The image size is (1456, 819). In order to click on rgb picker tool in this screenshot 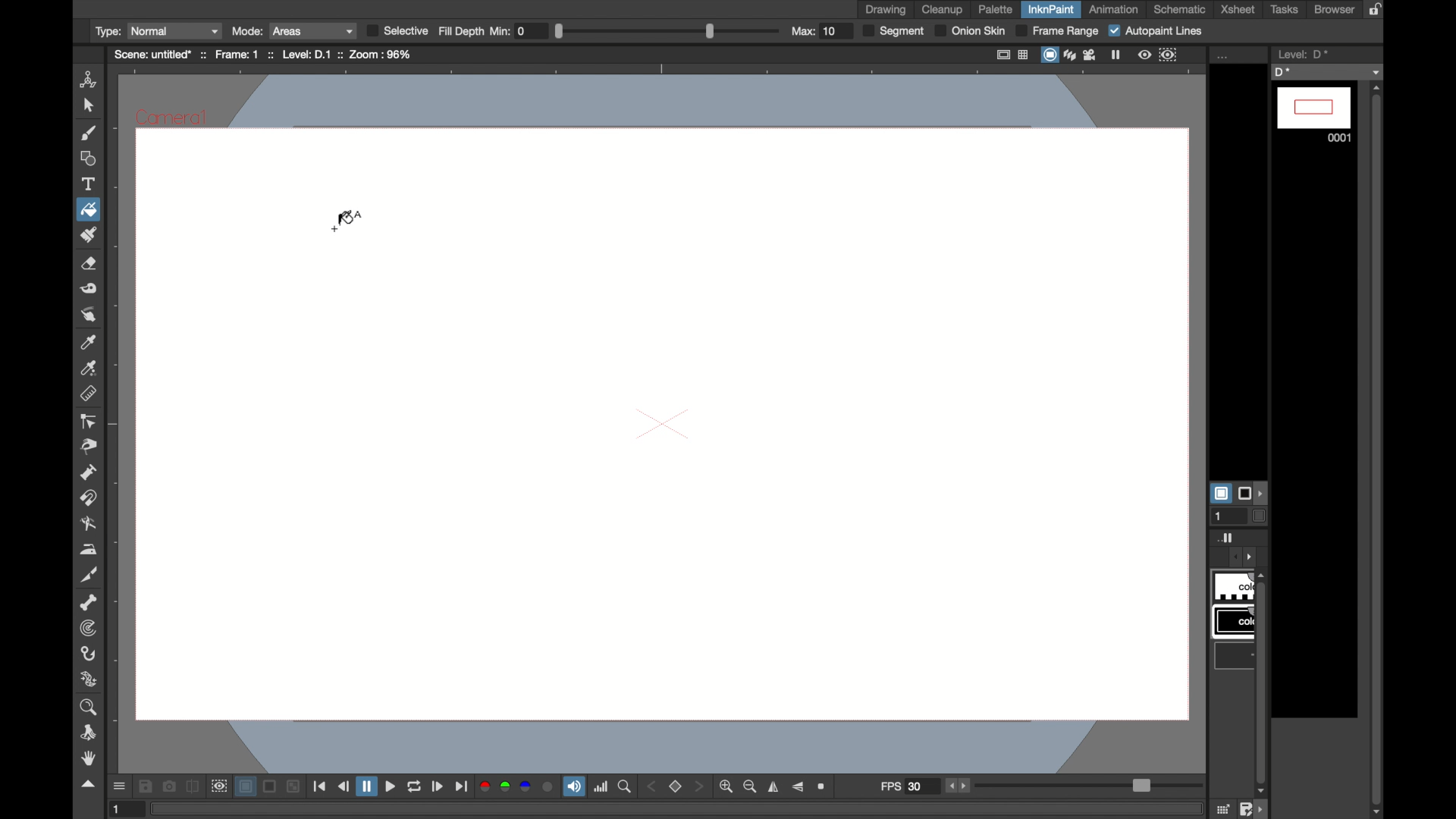, I will do `click(89, 369)`.